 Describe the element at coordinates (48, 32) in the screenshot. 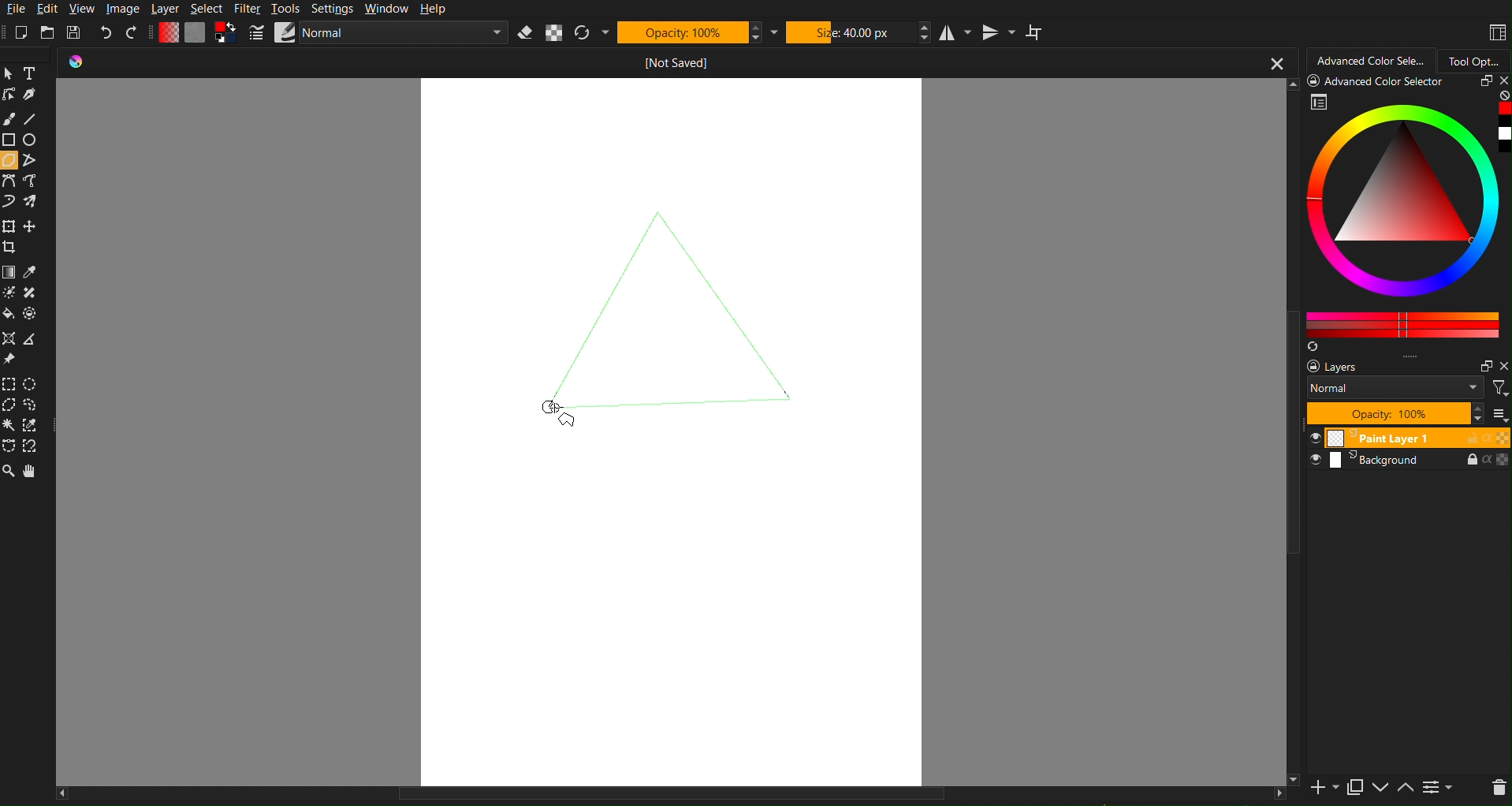

I see `Open` at that location.